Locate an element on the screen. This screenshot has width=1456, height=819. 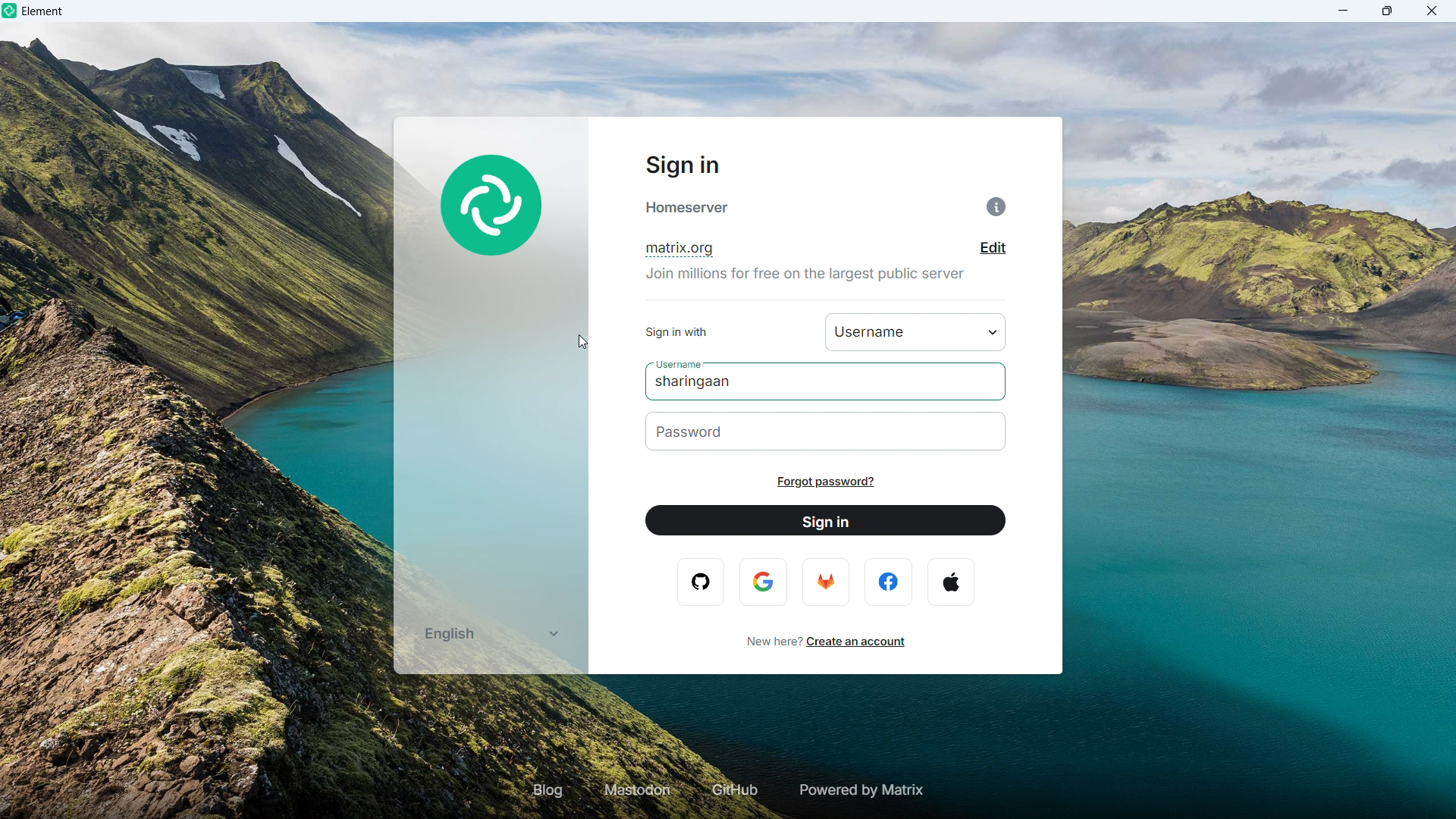
Domain name  is located at coordinates (678, 250).